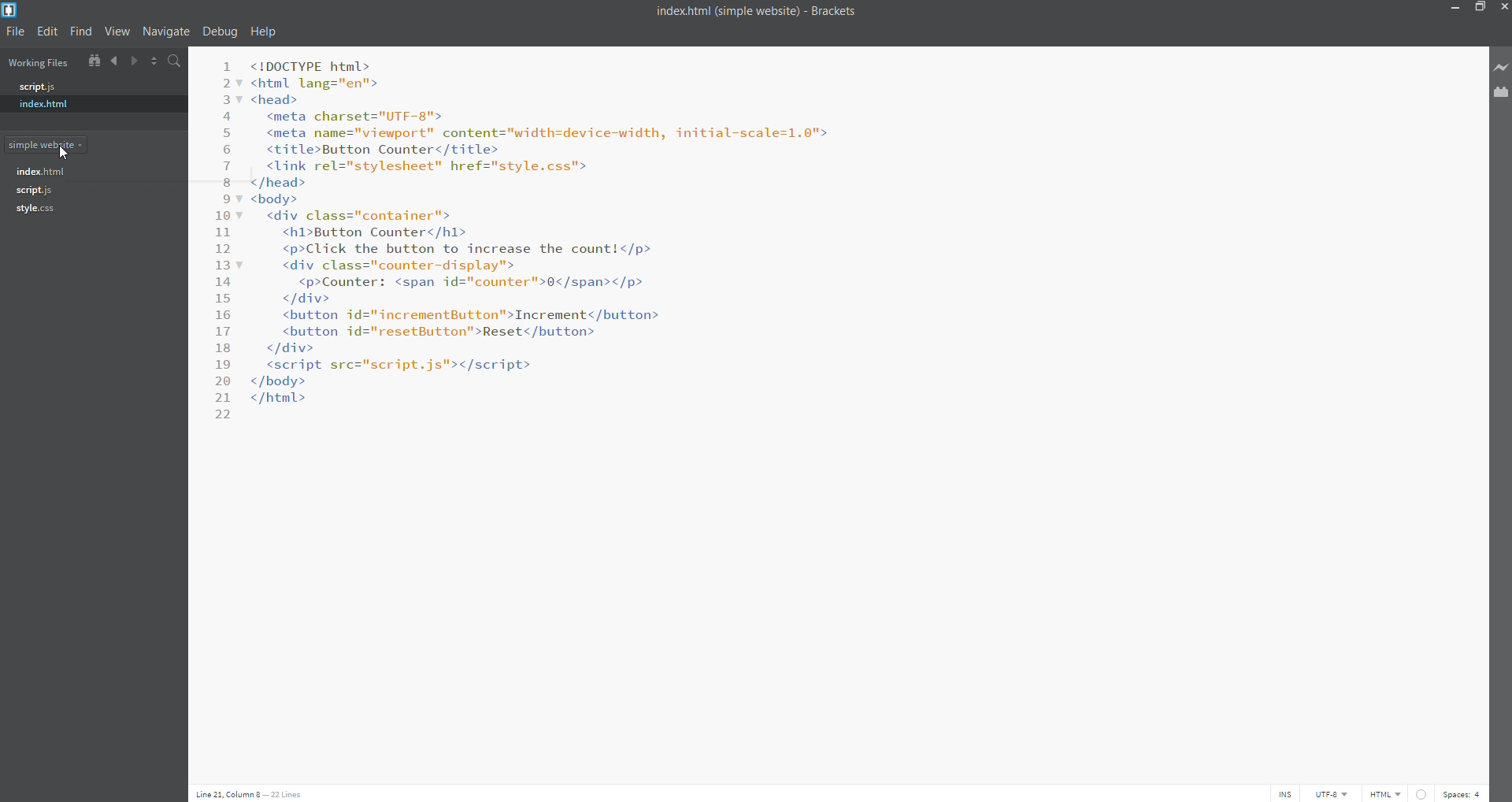 The width and height of the screenshot is (1512, 802). What do you see at coordinates (55, 146) in the screenshot?
I see `simple website` at bounding box center [55, 146].